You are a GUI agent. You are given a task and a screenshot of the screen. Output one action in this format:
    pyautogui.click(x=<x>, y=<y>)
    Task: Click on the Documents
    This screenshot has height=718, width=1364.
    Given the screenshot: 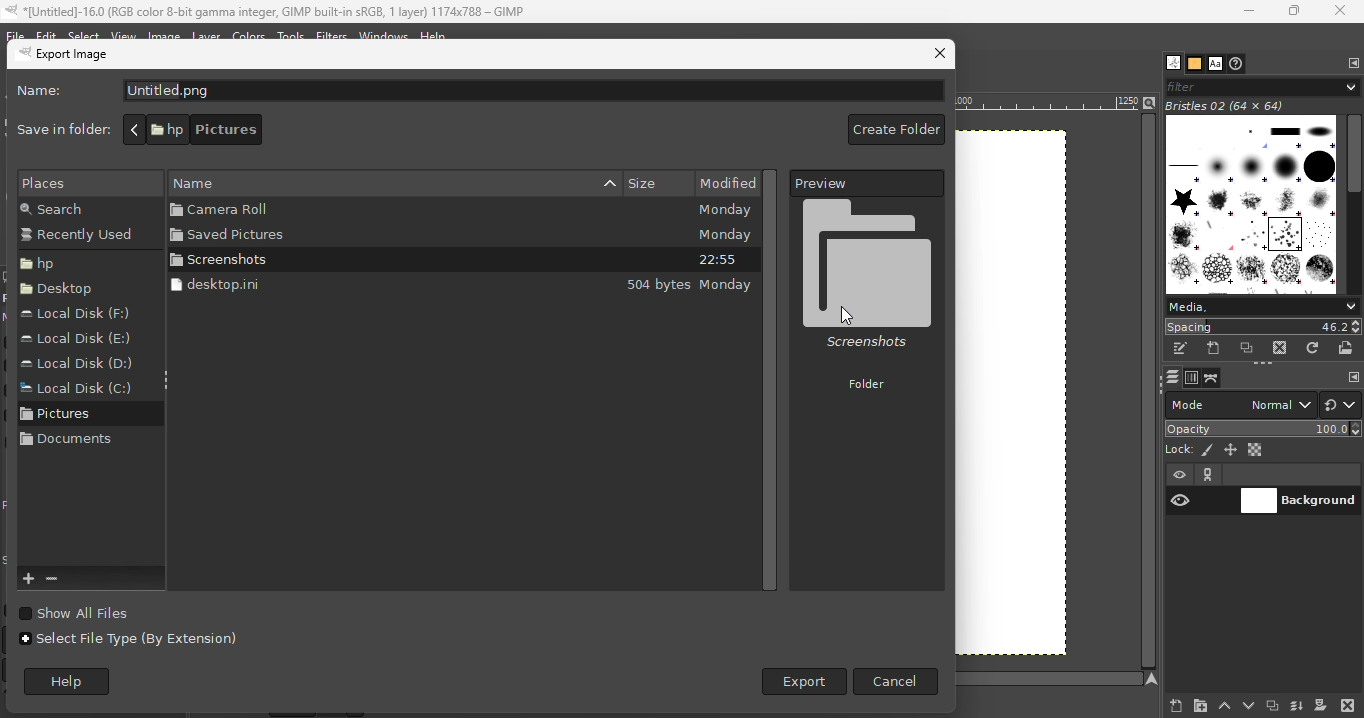 What is the action you would take?
    pyautogui.click(x=68, y=446)
    